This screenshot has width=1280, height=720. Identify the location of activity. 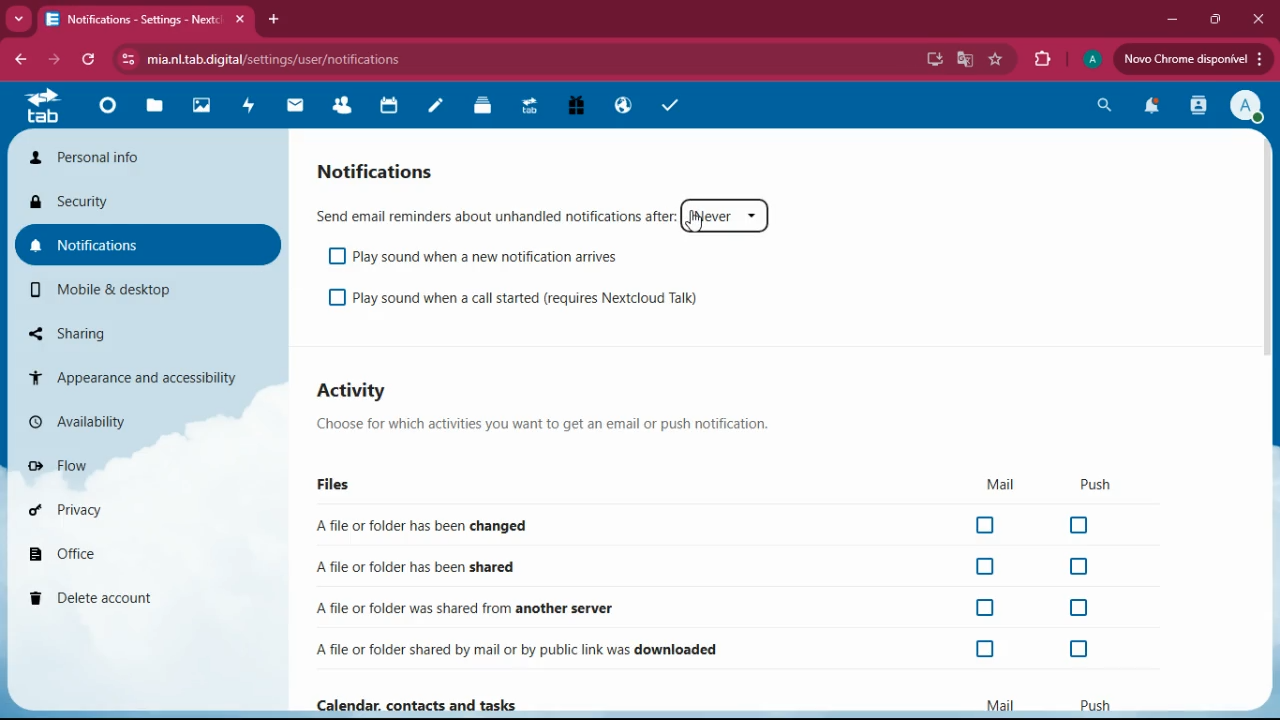
(1195, 106).